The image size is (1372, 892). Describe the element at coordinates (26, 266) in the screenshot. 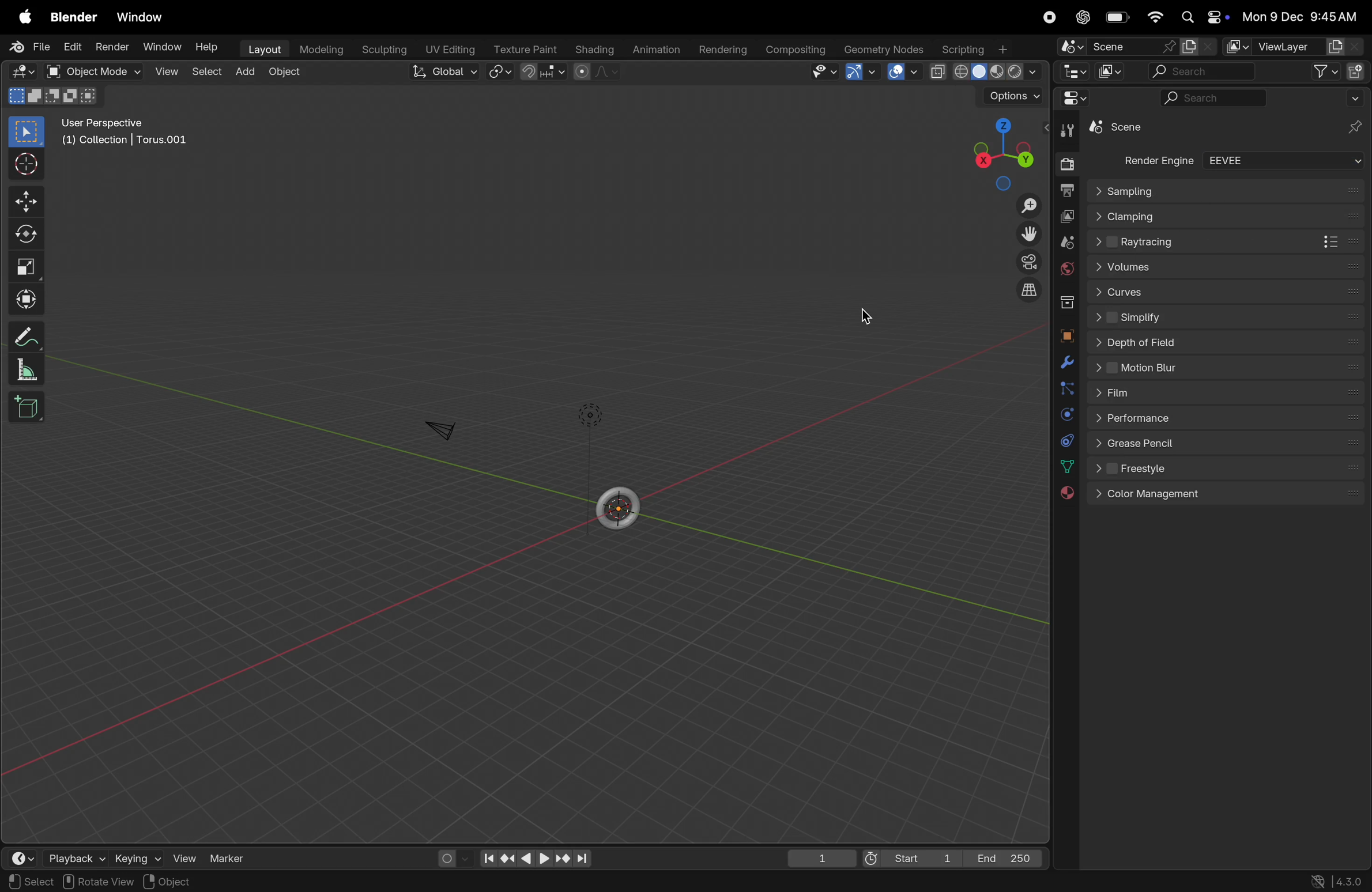

I see `scale` at that location.